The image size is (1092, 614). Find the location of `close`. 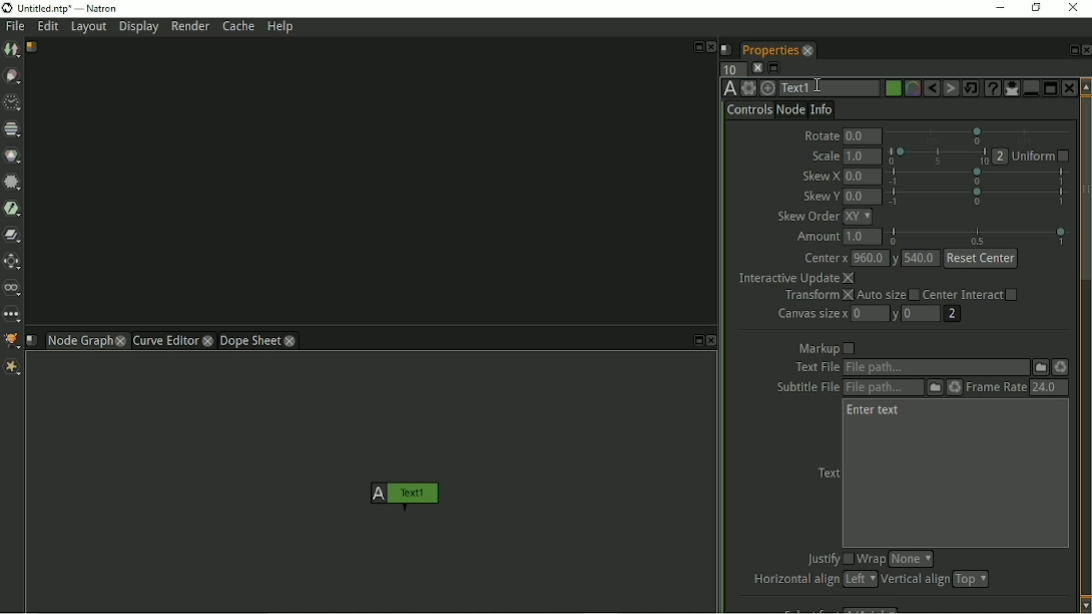

close is located at coordinates (209, 340).